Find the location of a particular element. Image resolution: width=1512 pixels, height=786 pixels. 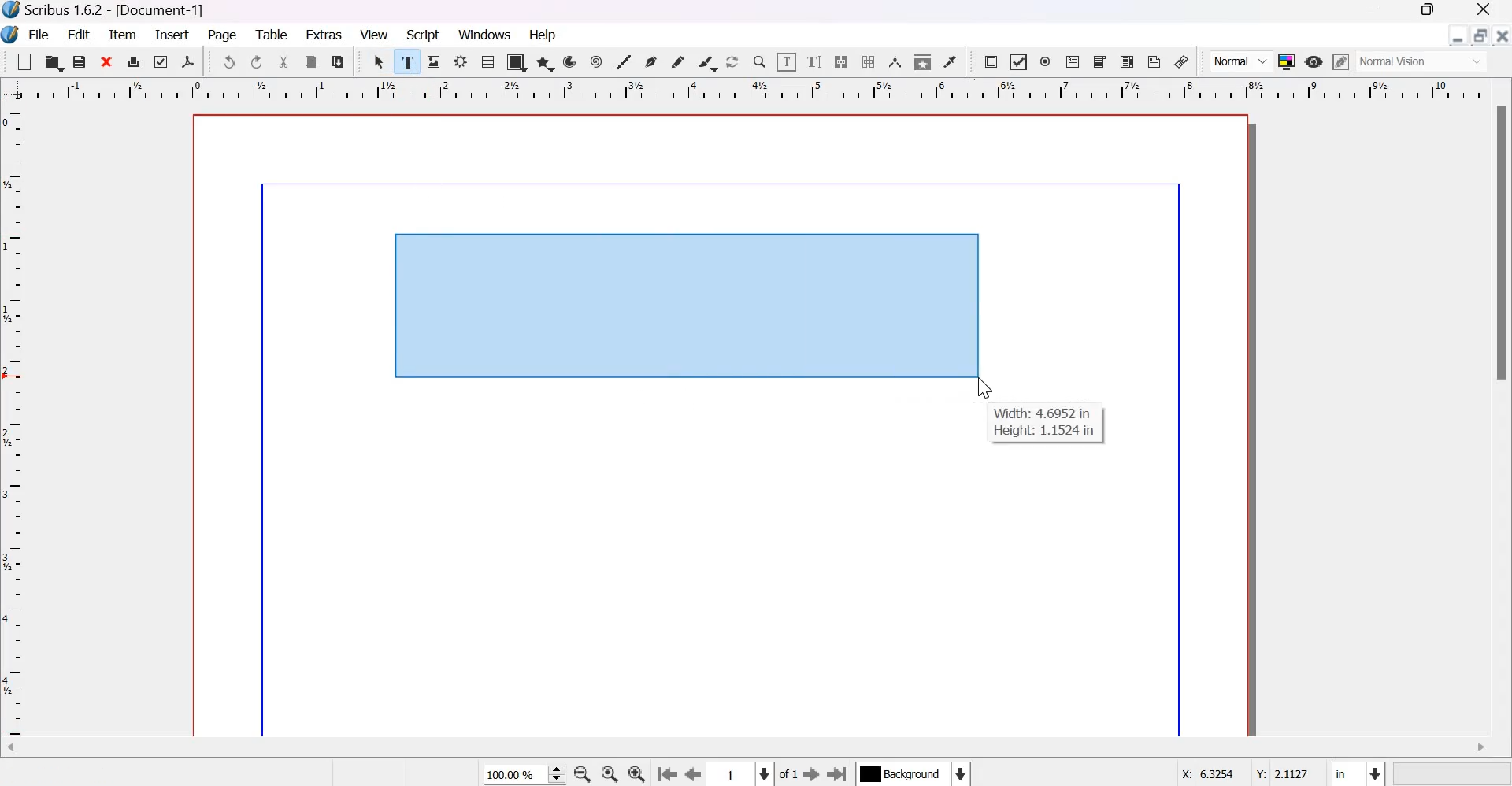

PDF radio button is located at coordinates (1046, 62).